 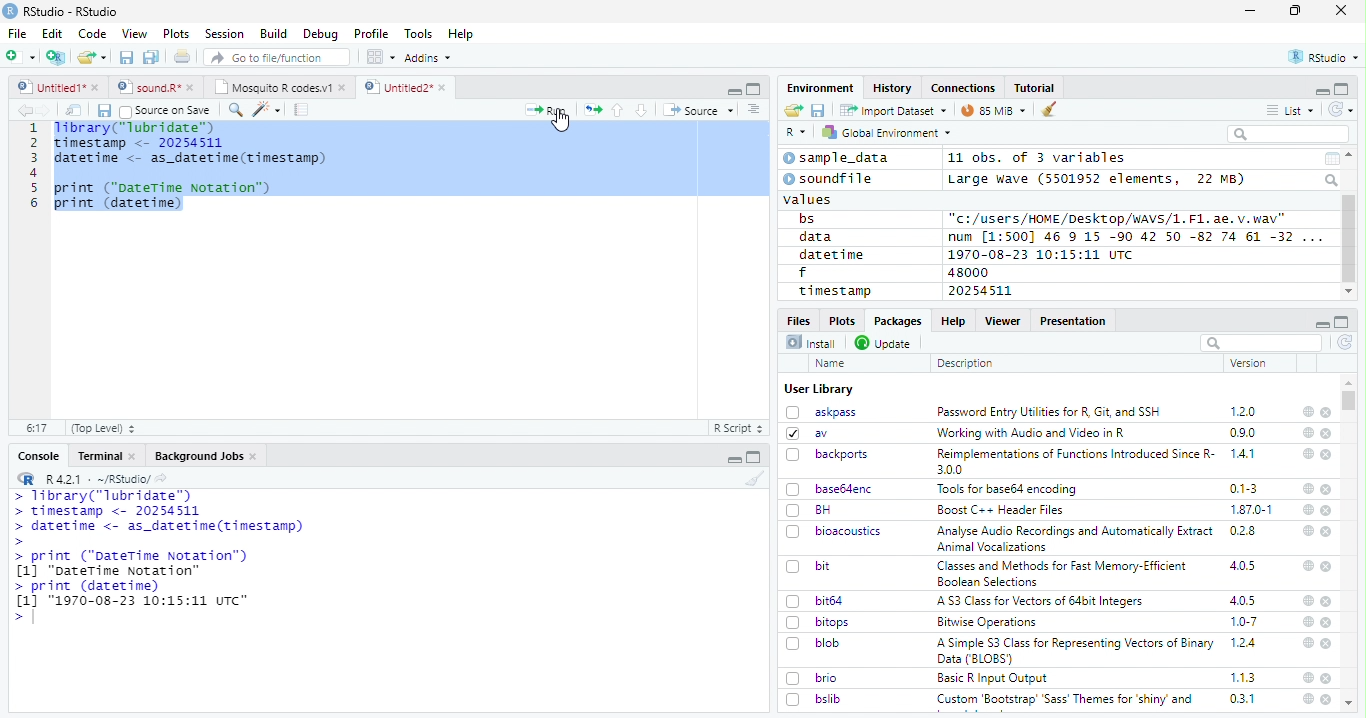 What do you see at coordinates (800, 319) in the screenshot?
I see `Files` at bounding box center [800, 319].